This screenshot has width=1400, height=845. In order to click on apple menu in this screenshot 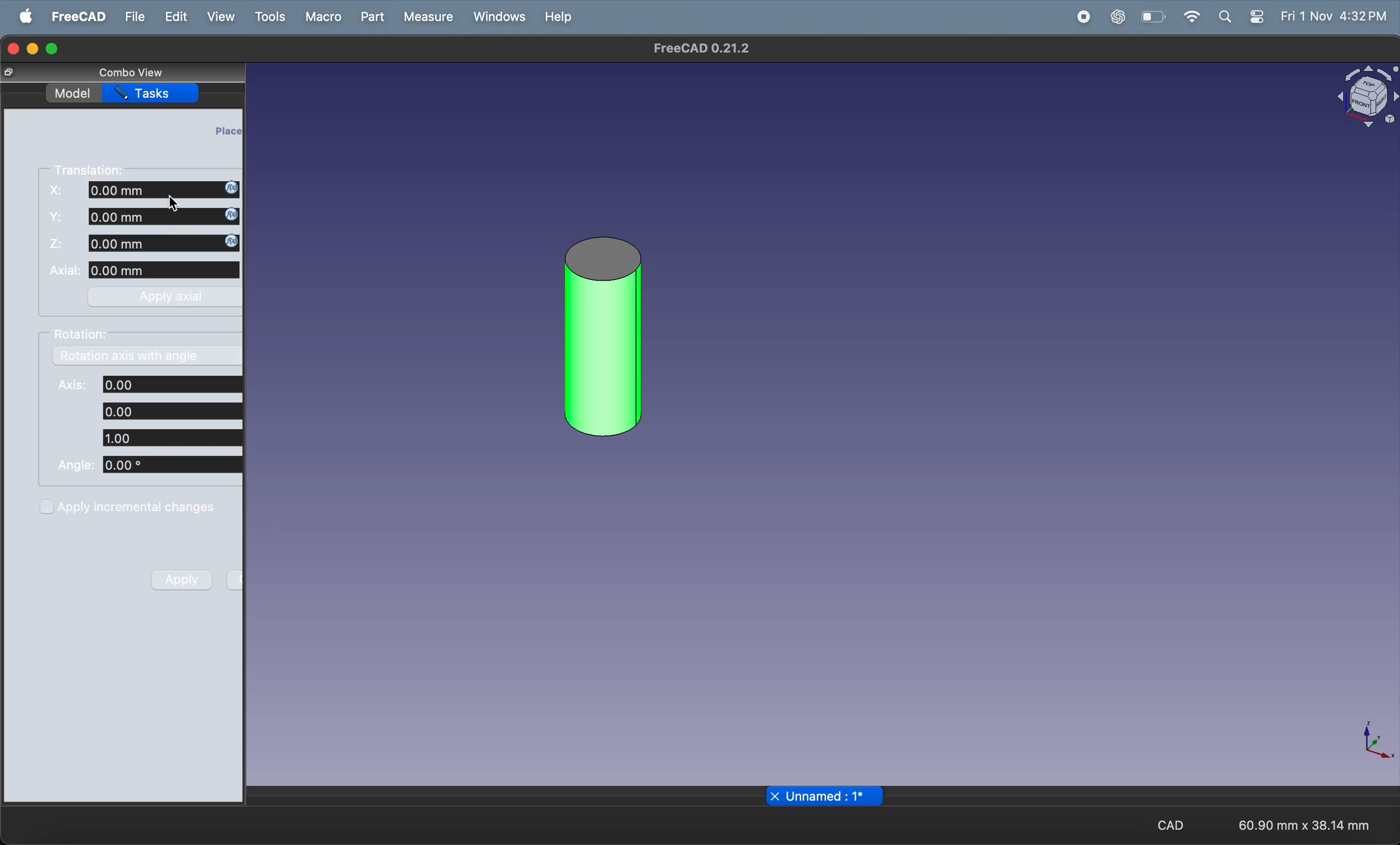, I will do `click(21, 16)`.